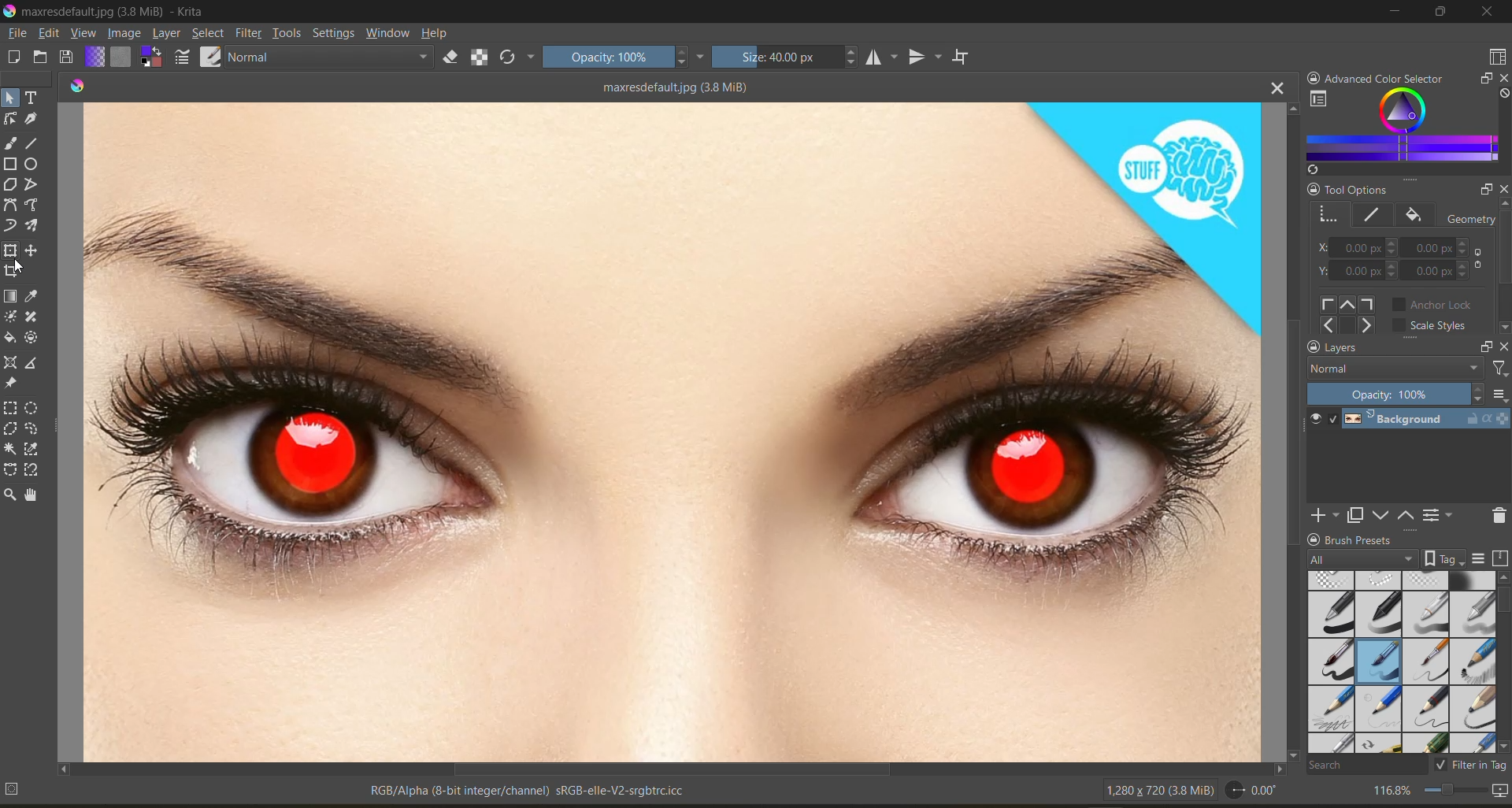 This screenshot has width=1512, height=808. I want to click on reload original preset, so click(518, 60).